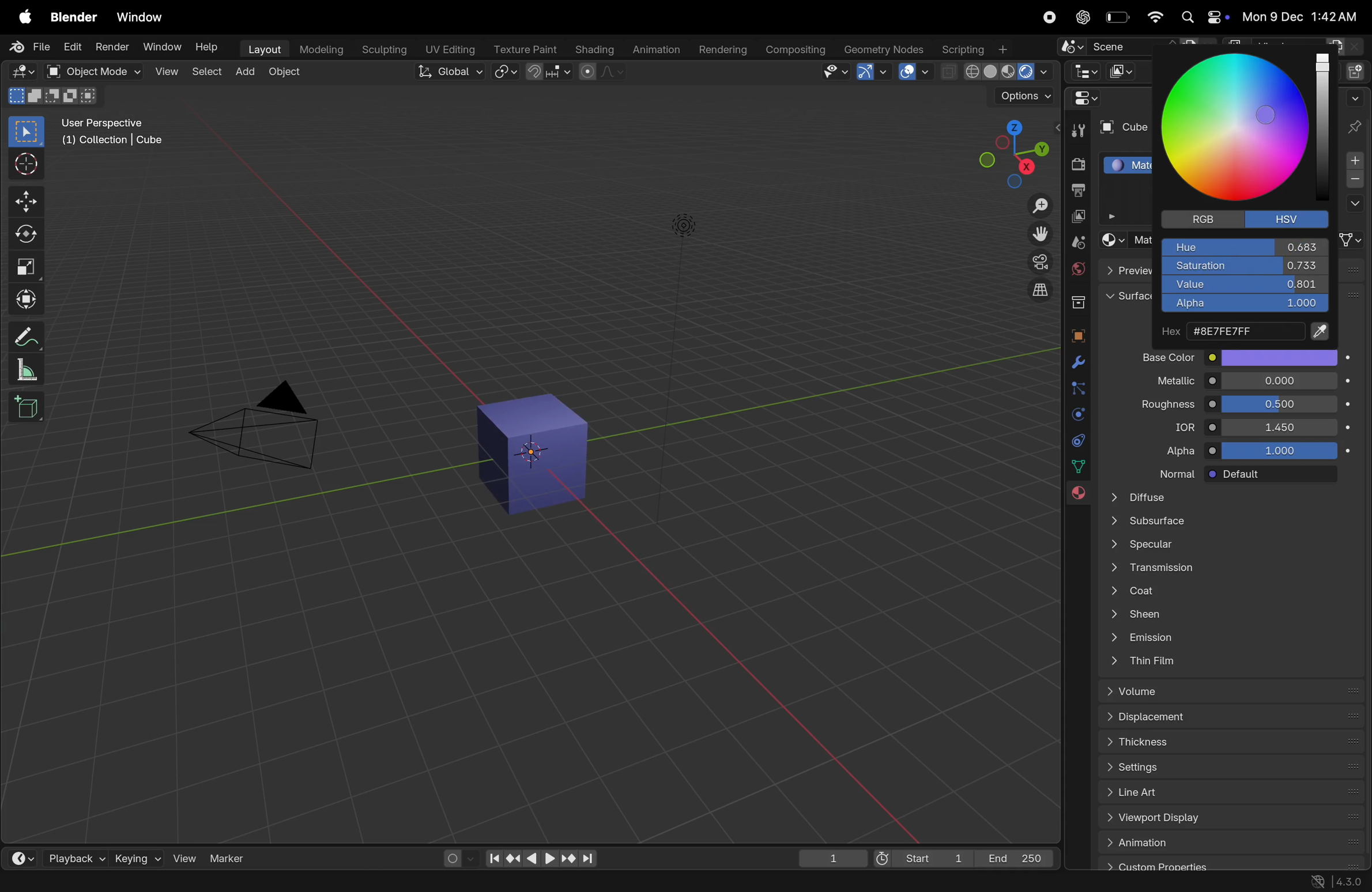 The image size is (1372, 892). Describe the element at coordinates (975, 48) in the screenshot. I see `scripting` at that location.